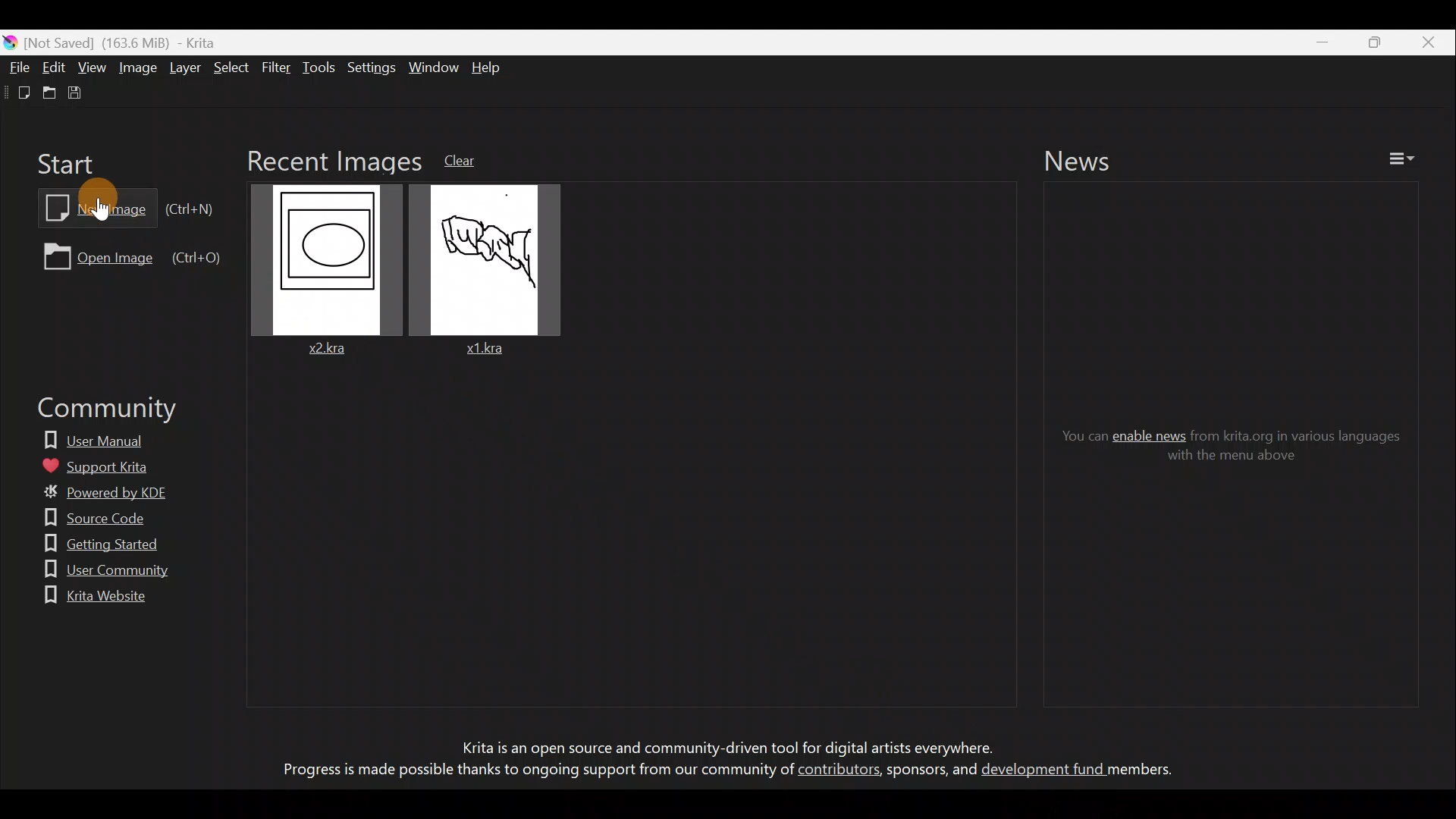  Describe the element at coordinates (1091, 160) in the screenshot. I see ` News` at that location.